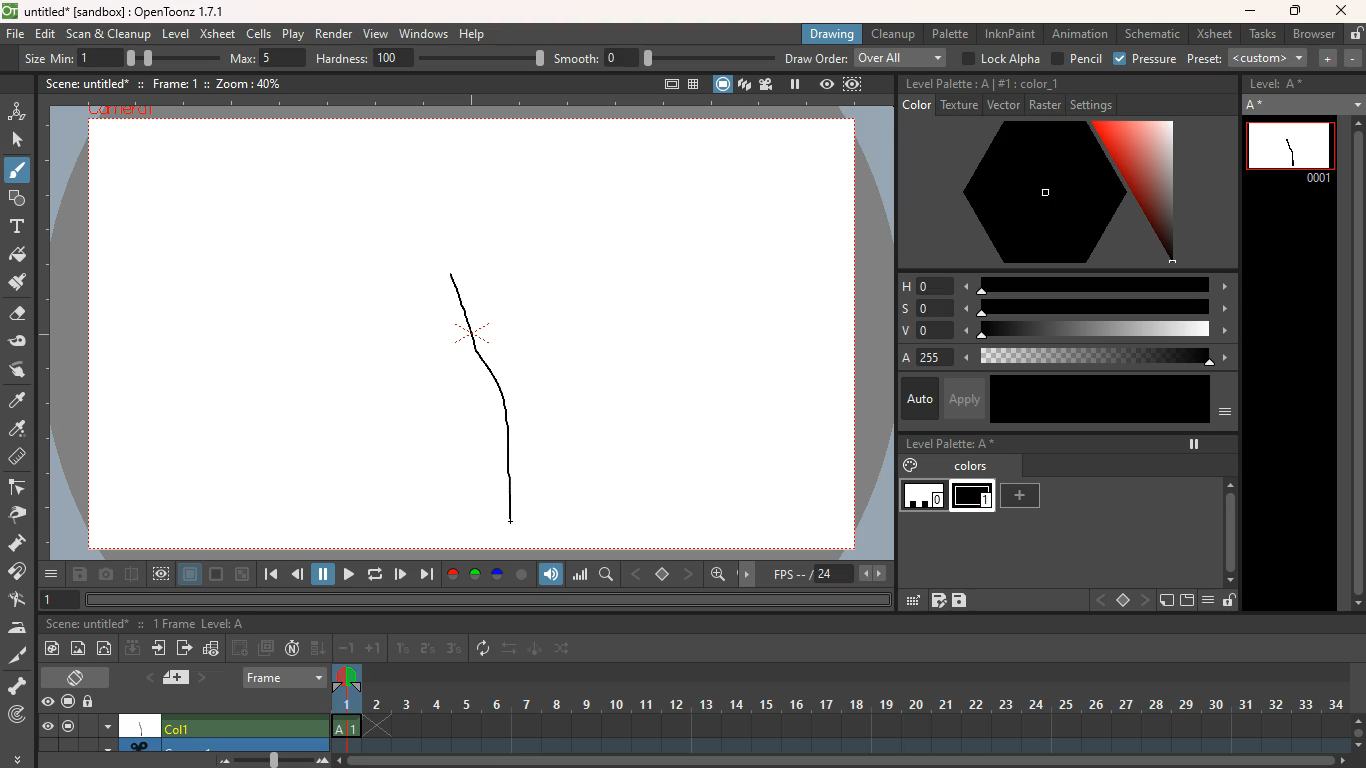  I want to click on Cursor, so click(21, 179).